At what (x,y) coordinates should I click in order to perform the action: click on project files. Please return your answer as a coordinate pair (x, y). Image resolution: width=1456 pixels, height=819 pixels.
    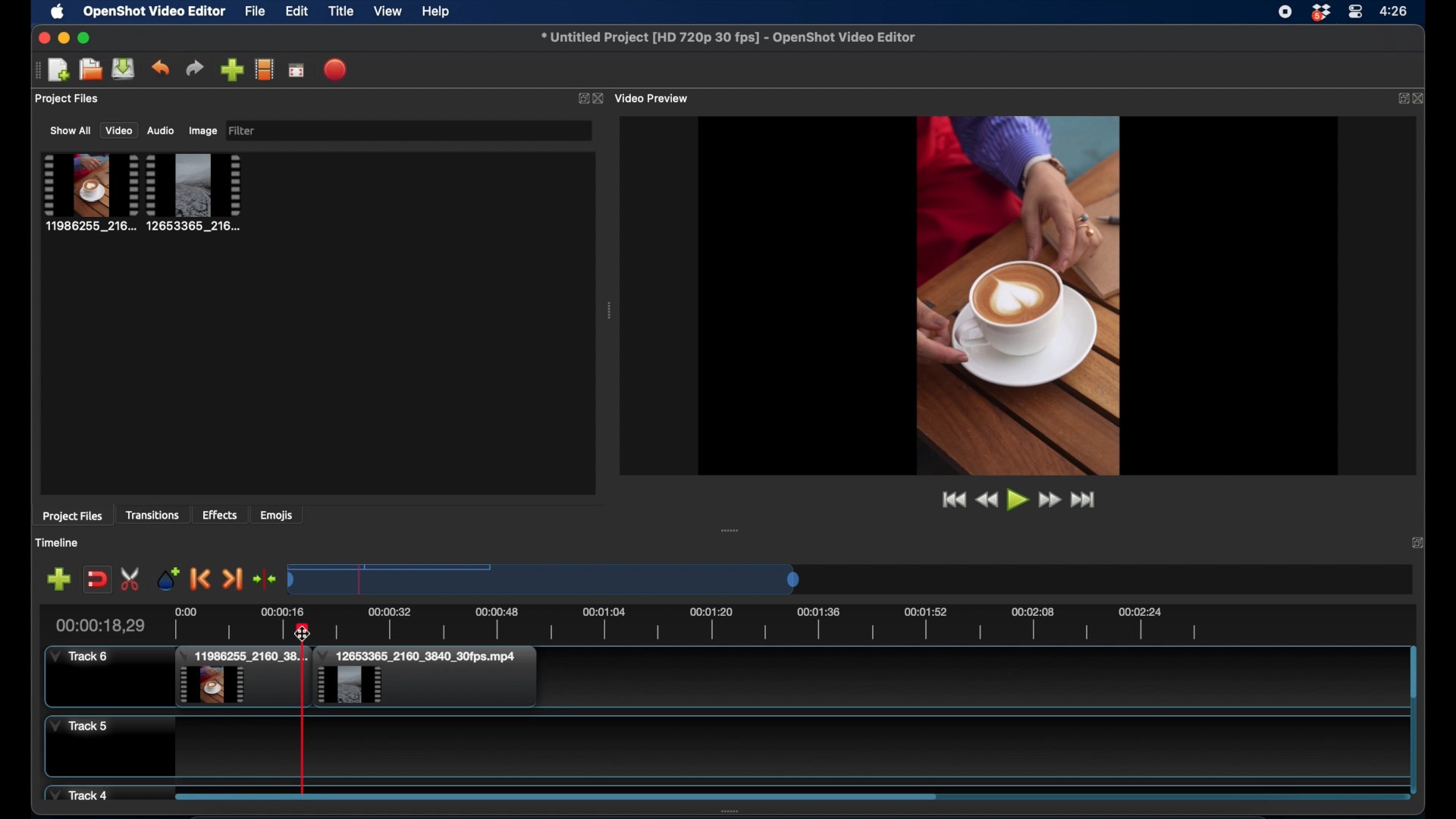
    Looking at the image, I should click on (72, 516).